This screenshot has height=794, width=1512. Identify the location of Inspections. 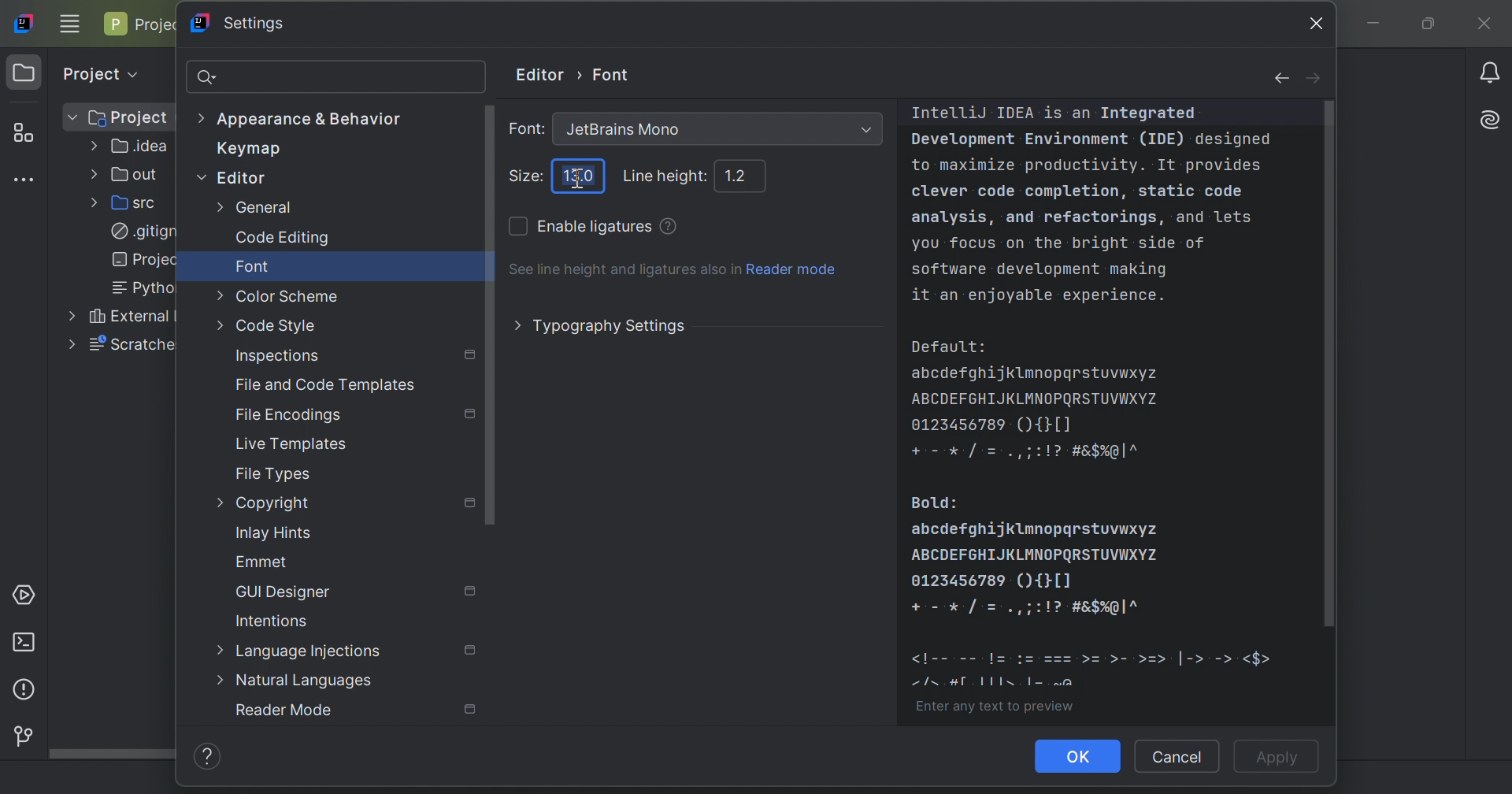
(277, 356).